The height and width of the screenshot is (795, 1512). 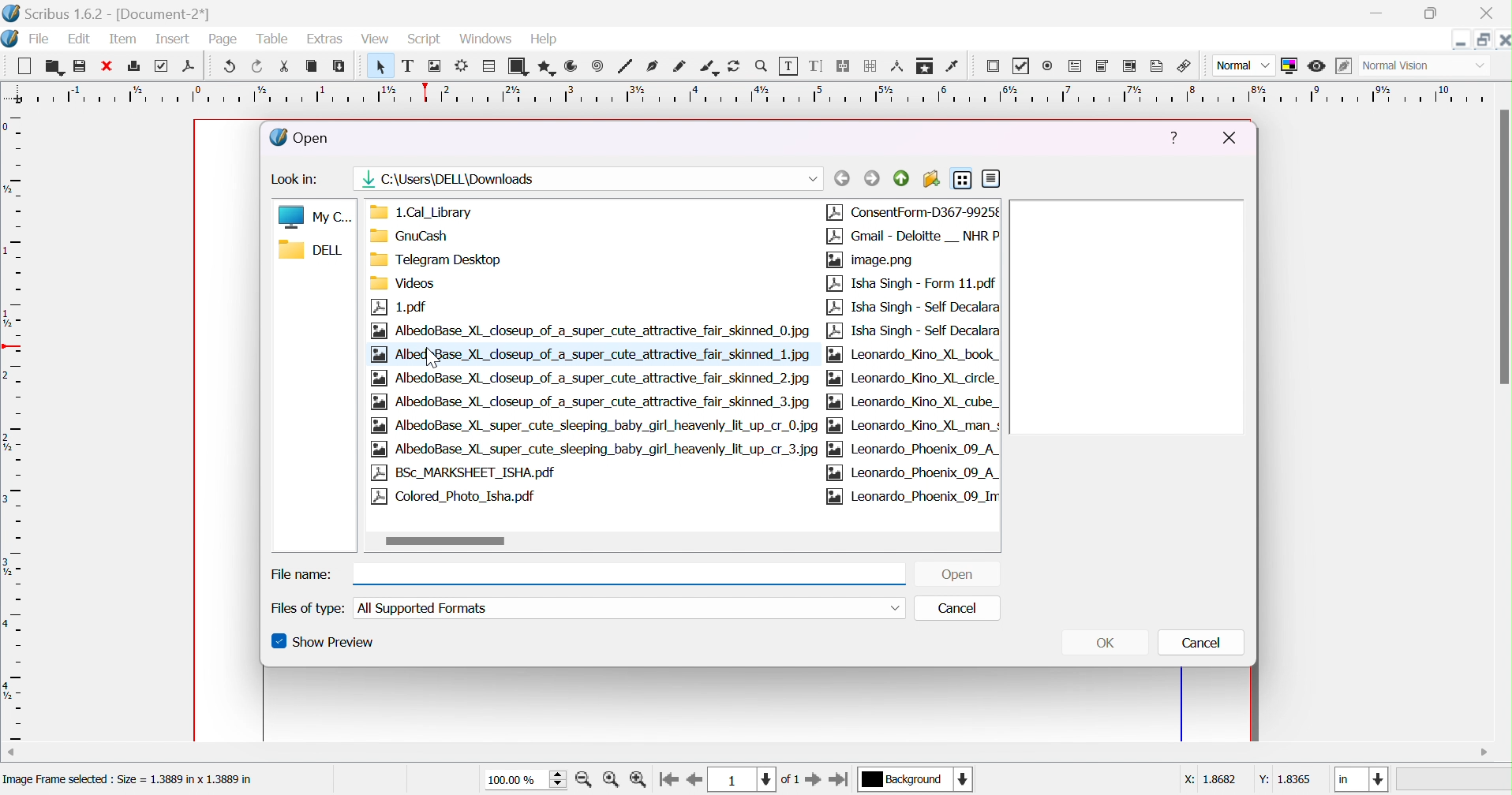 I want to click on cut, so click(x=283, y=66).